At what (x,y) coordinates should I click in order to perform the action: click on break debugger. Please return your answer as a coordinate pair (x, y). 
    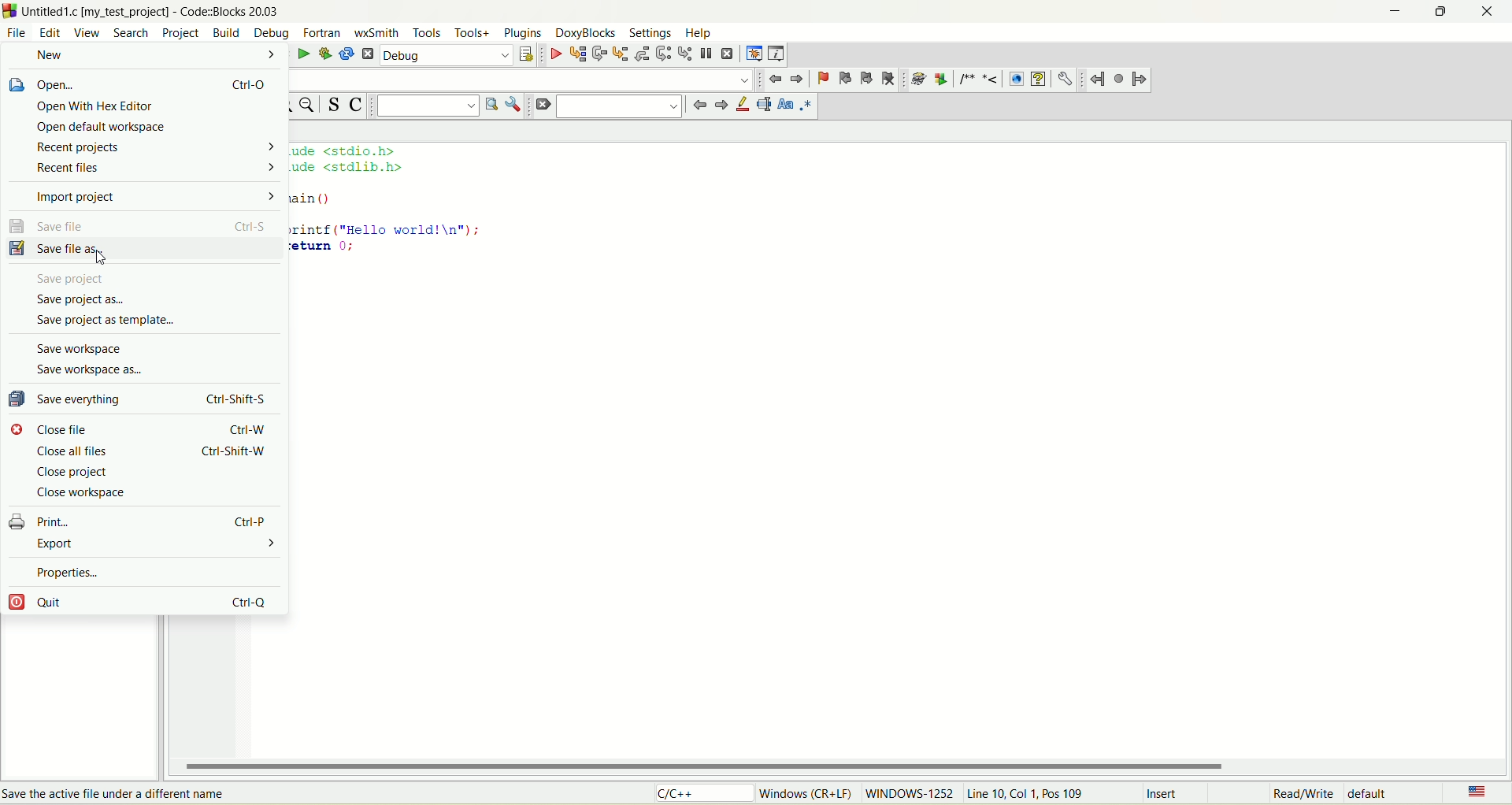
    Looking at the image, I should click on (706, 54).